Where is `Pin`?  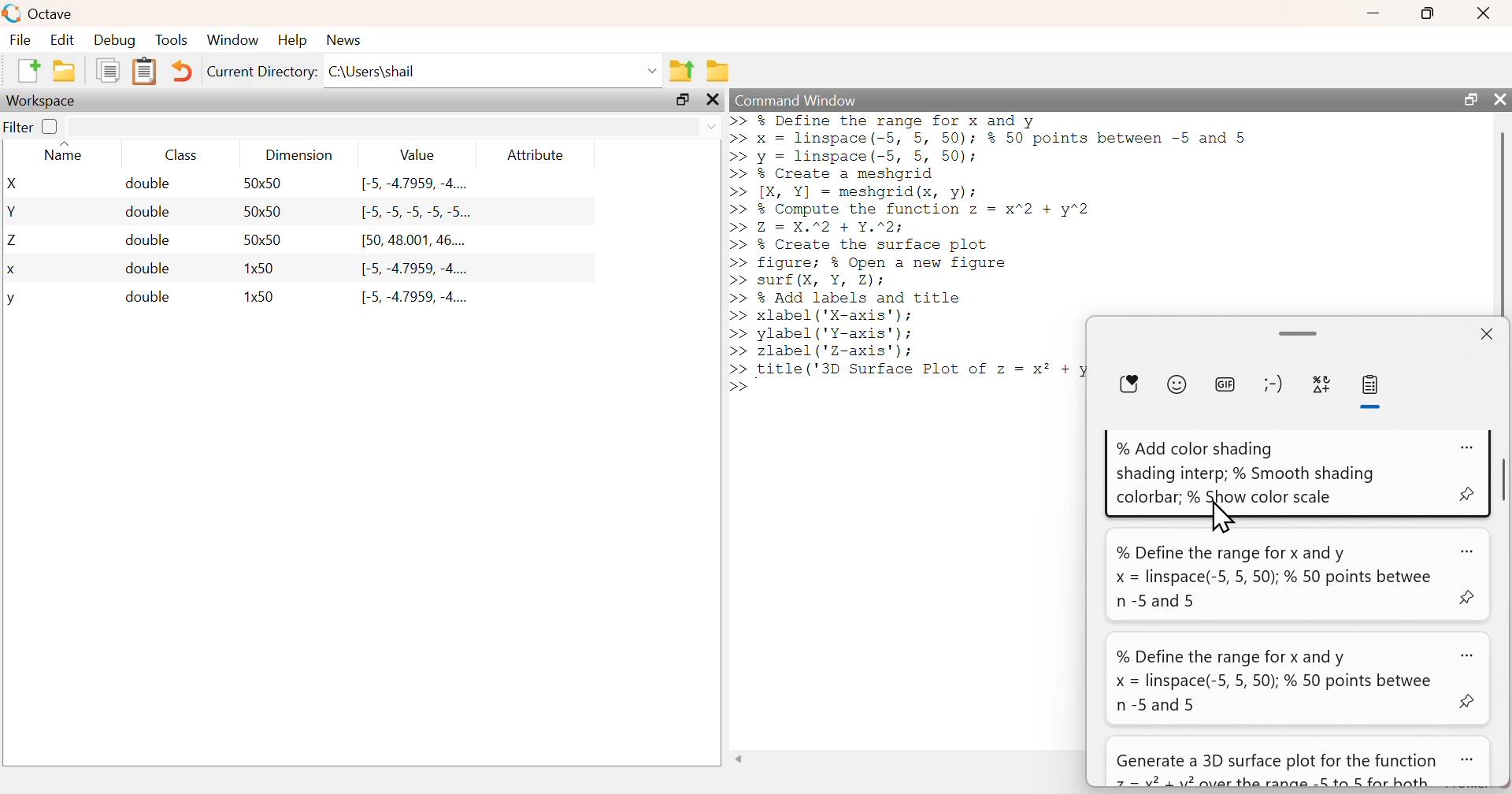 Pin is located at coordinates (1463, 493).